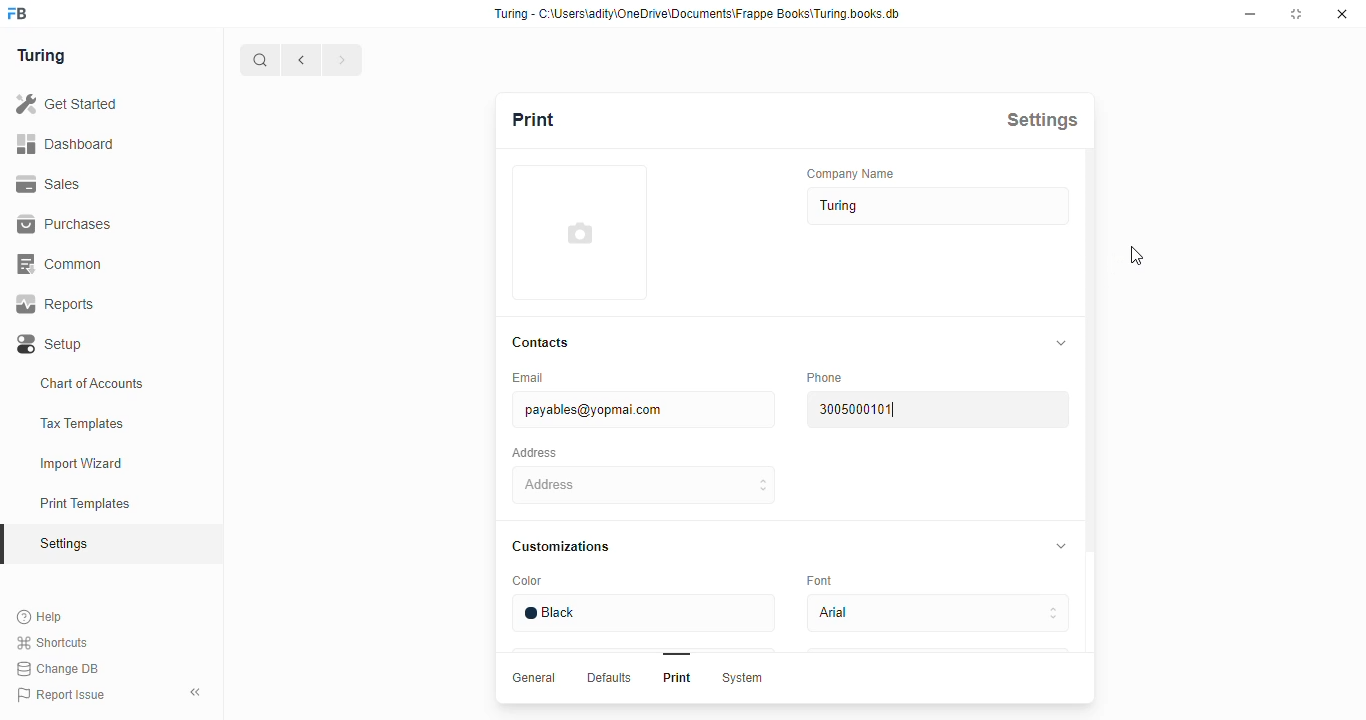  Describe the element at coordinates (343, 59) in the screenshot. I see `forward` at that location.